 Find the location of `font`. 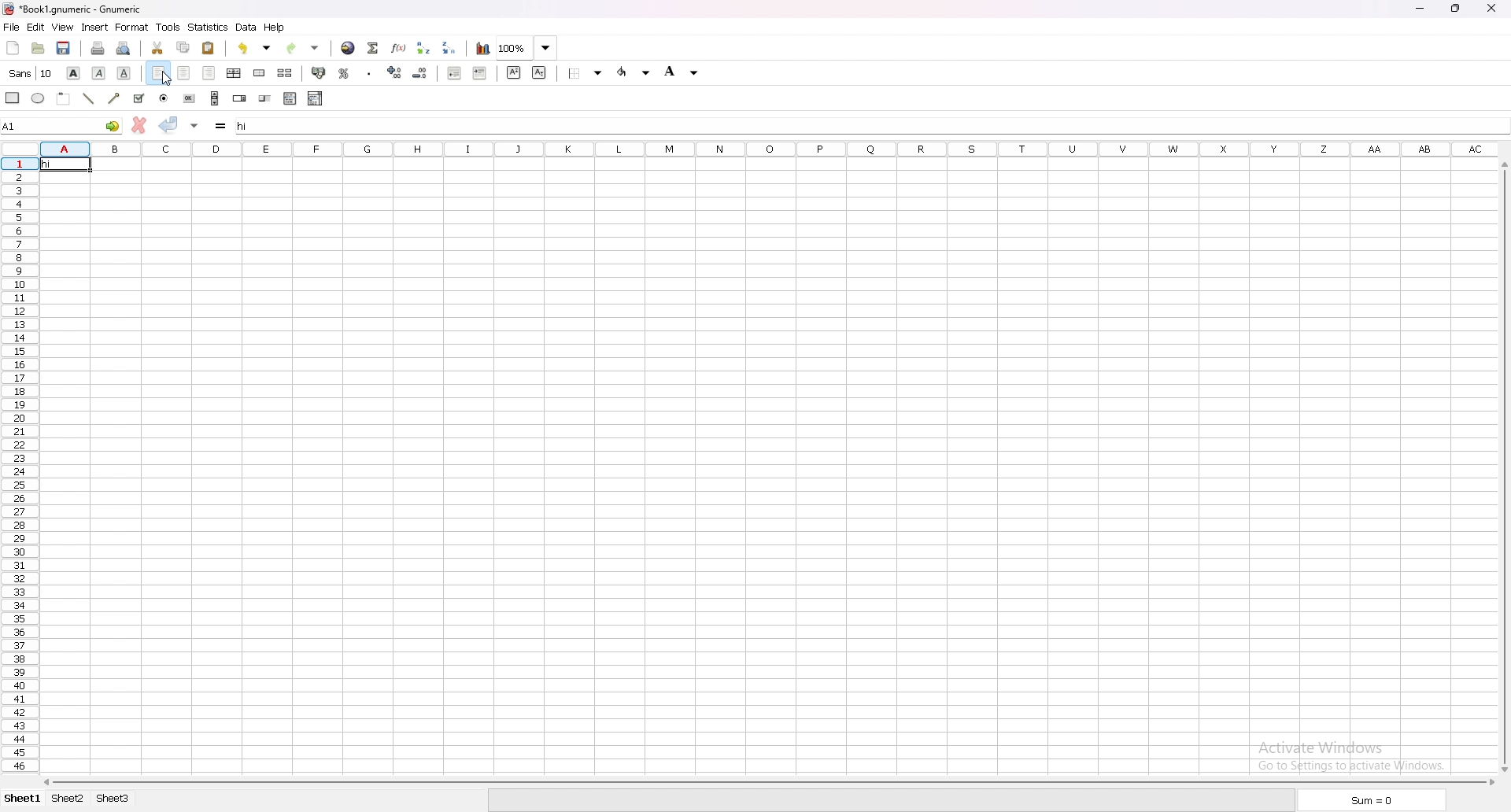

font is located at coordinates (31, 73).